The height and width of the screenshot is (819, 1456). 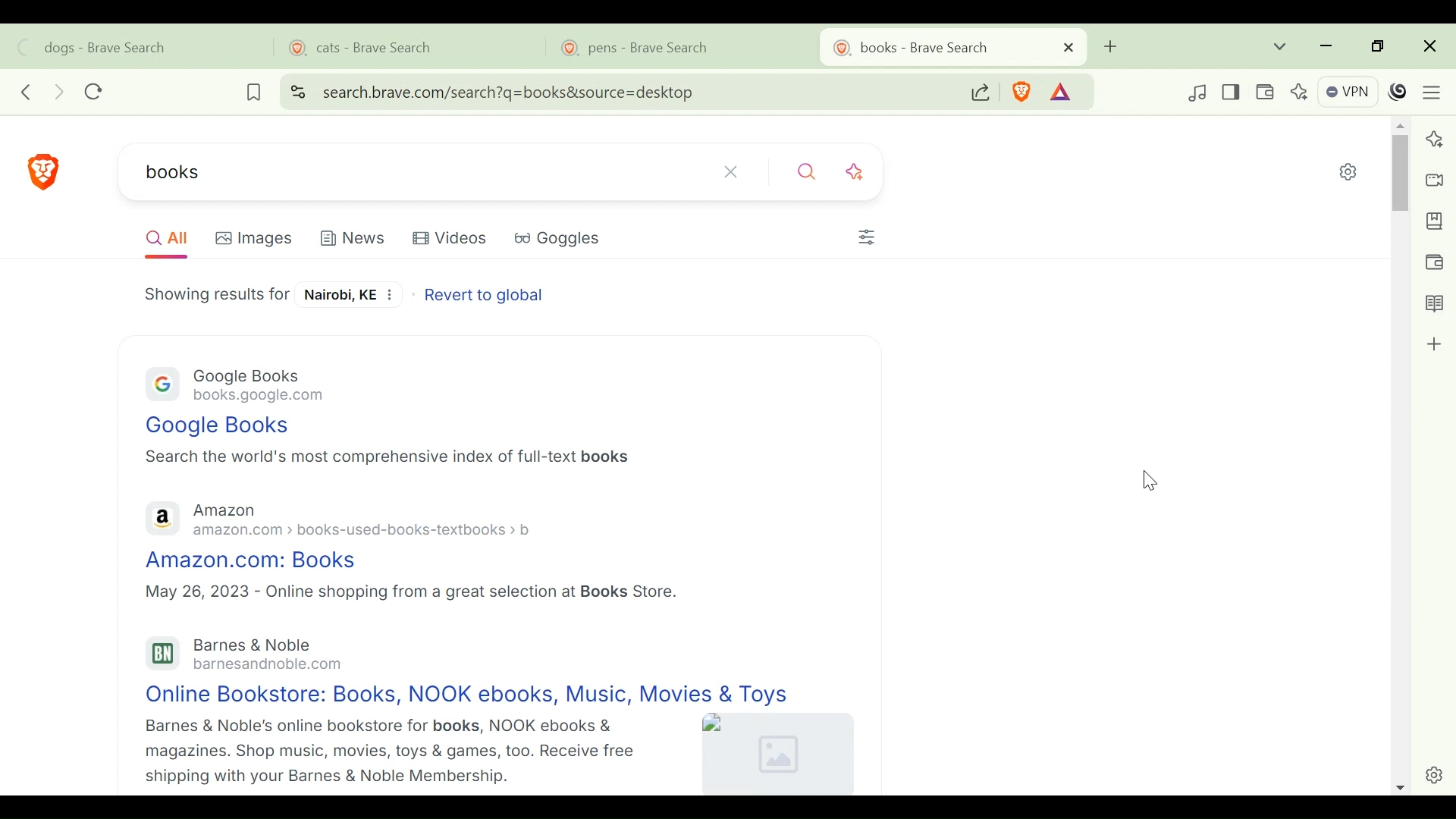 What do you see at coordinates (51, 171) in the screenshot?
I see `Brave Search` at bounding box center [51, 171].